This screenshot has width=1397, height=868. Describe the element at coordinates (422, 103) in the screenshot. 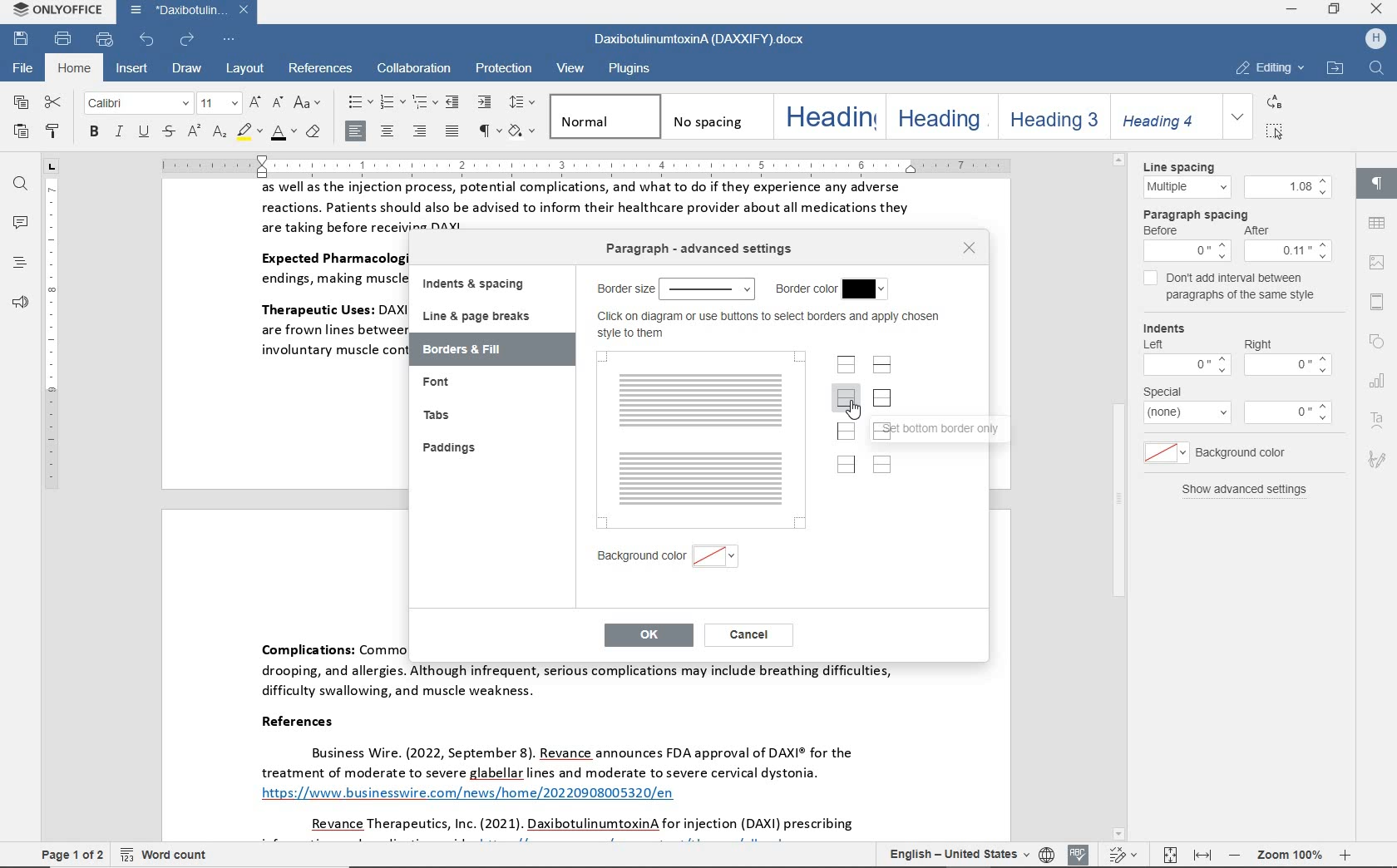

I see `multilevel list` at that location.